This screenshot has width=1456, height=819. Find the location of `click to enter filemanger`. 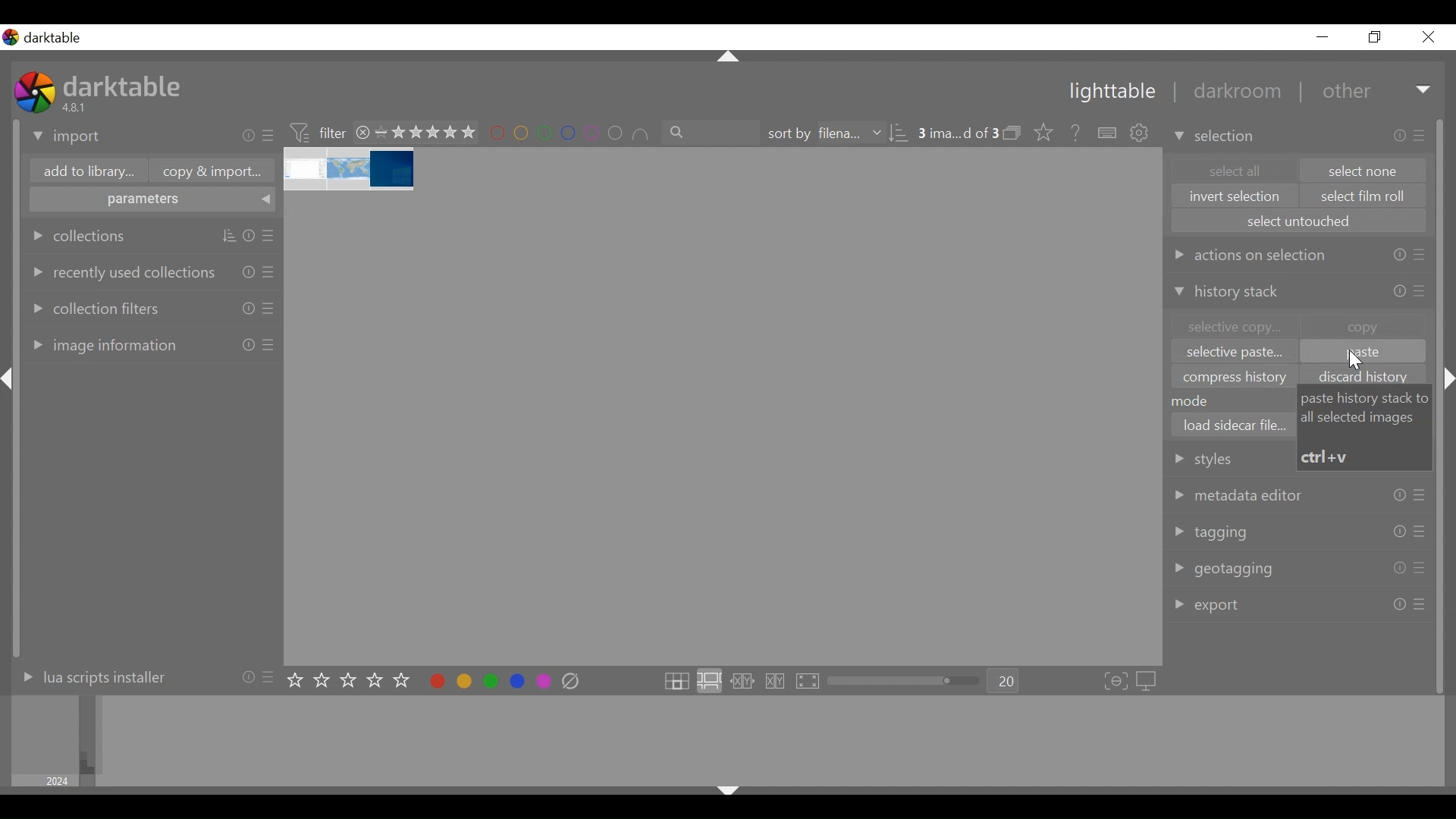

click to enter filemanger is located at coordinates (676, 682).